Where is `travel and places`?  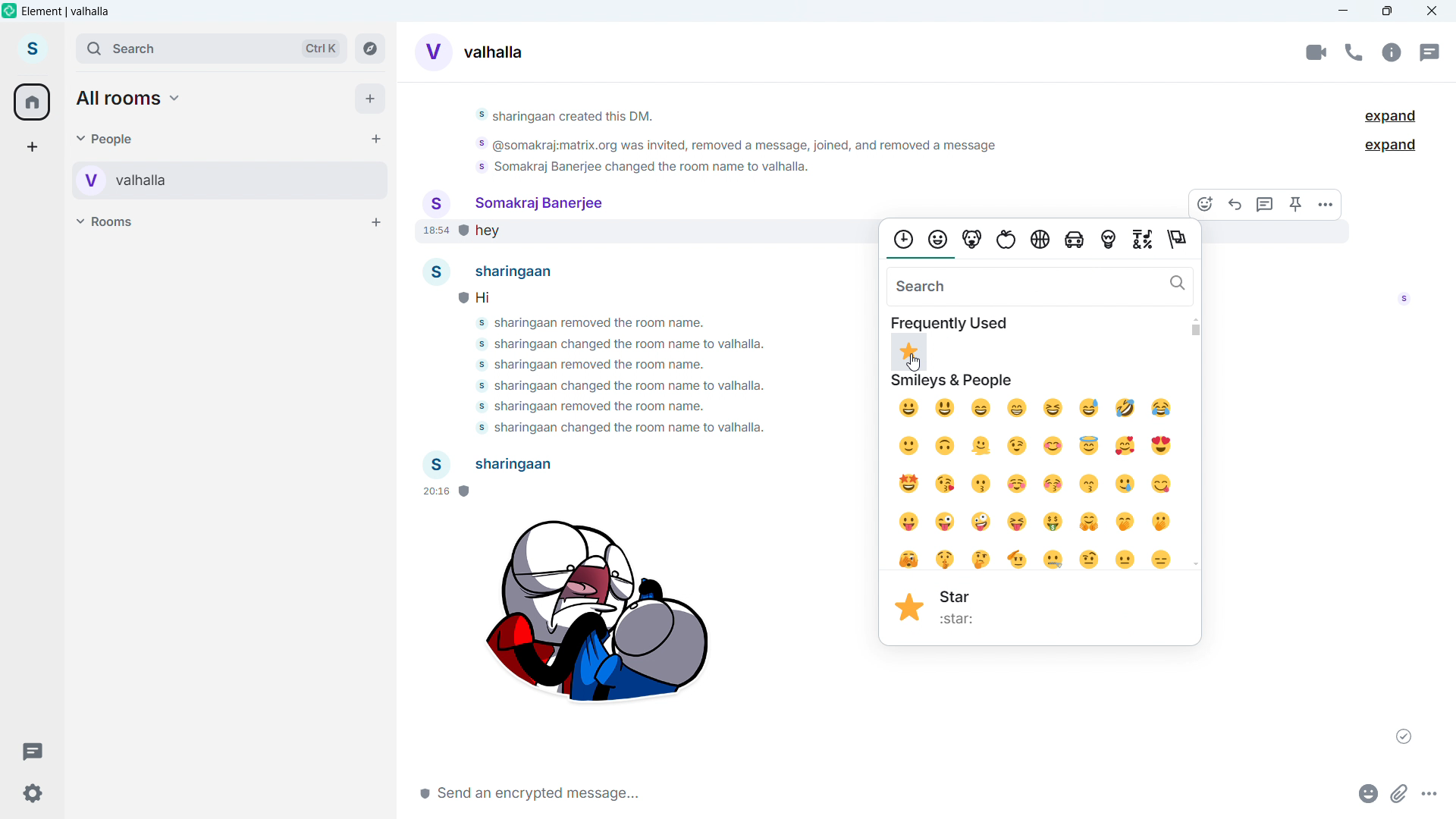
travel and places is located at coordinates (1078, 242).